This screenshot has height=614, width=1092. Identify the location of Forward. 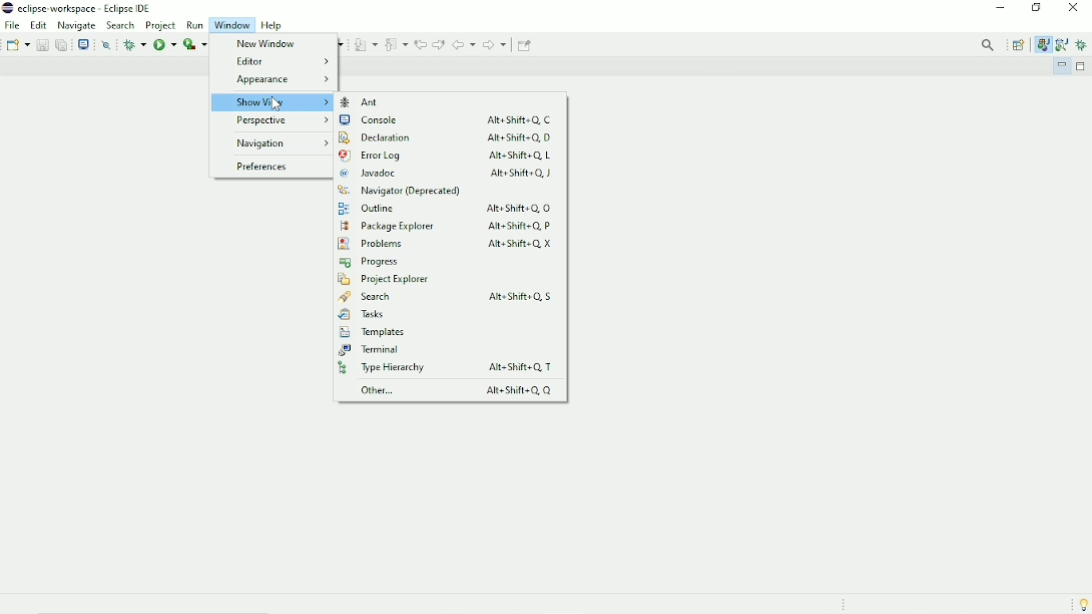
(495, 46).